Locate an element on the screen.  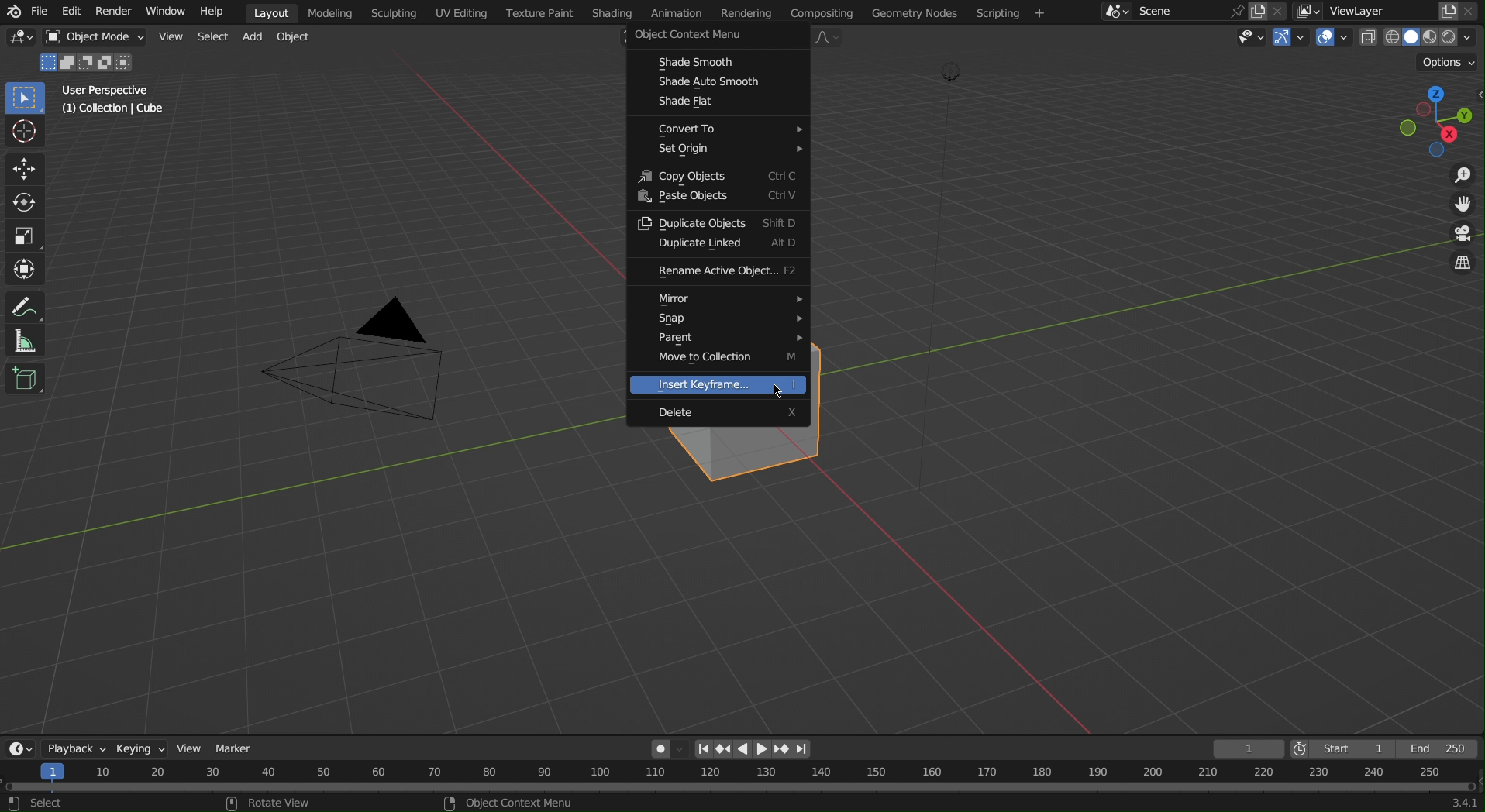
Auto Keying is located at coordinates (658, 748).